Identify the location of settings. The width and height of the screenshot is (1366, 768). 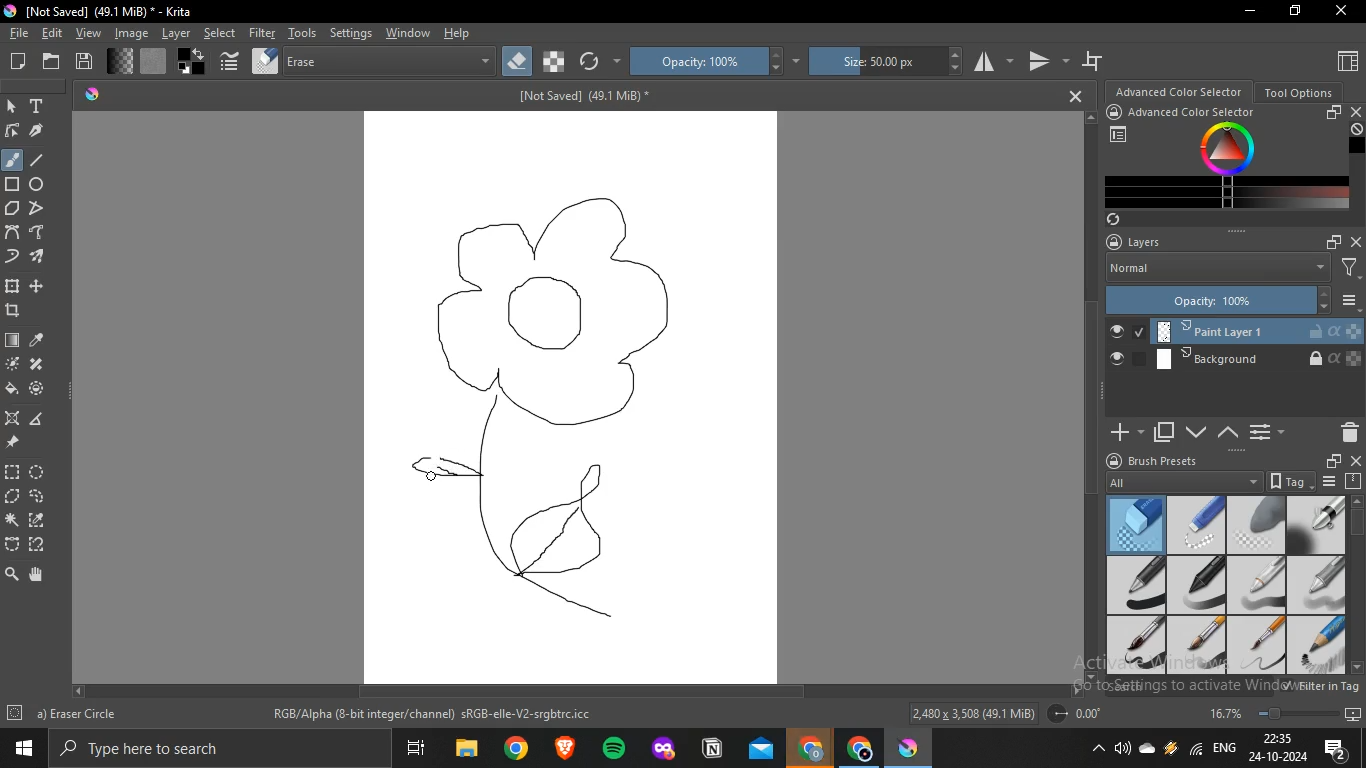
(351, 34).